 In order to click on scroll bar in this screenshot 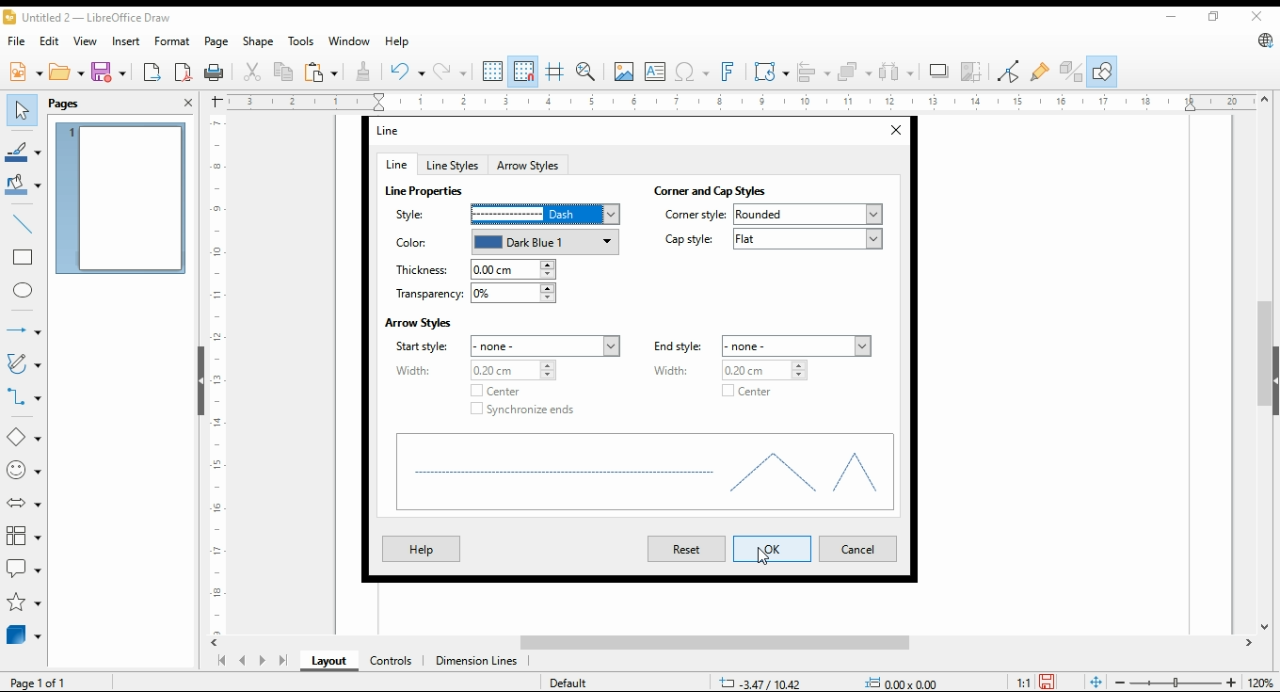, I will do `click(1264, 363)`.